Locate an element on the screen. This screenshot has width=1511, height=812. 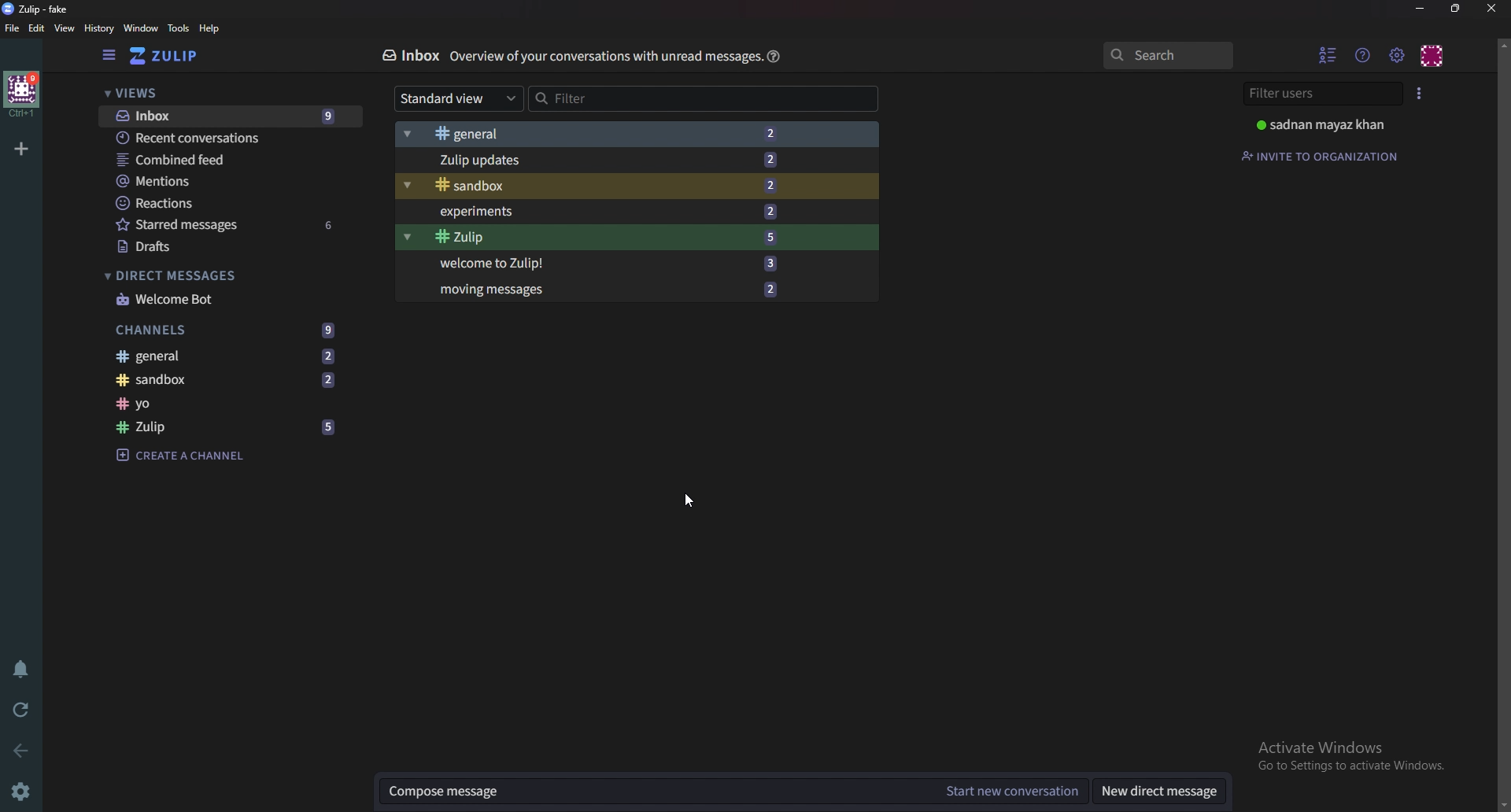
Views is located at coordinates (138, 92).